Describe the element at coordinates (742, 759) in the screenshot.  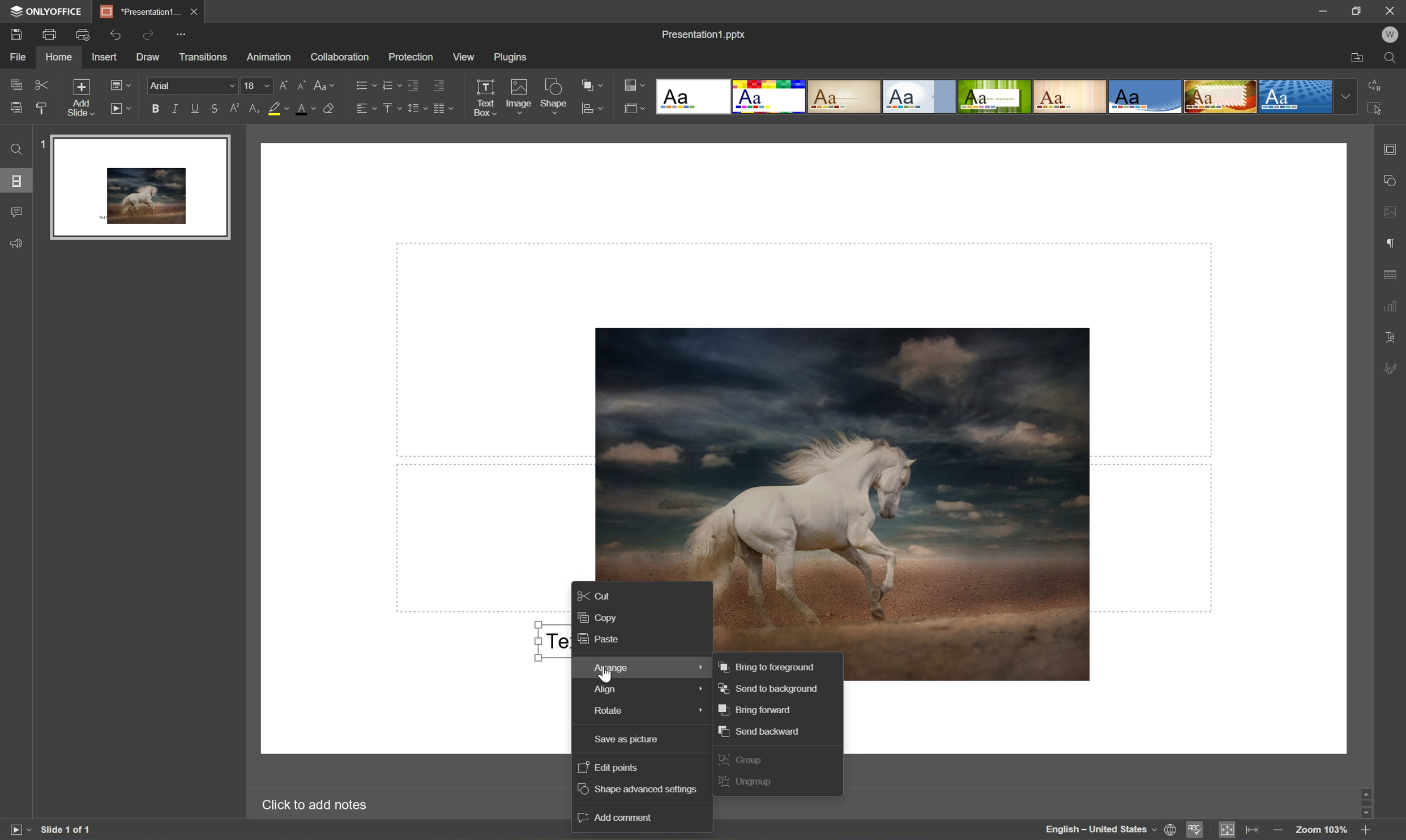
I see `Group` at that location.